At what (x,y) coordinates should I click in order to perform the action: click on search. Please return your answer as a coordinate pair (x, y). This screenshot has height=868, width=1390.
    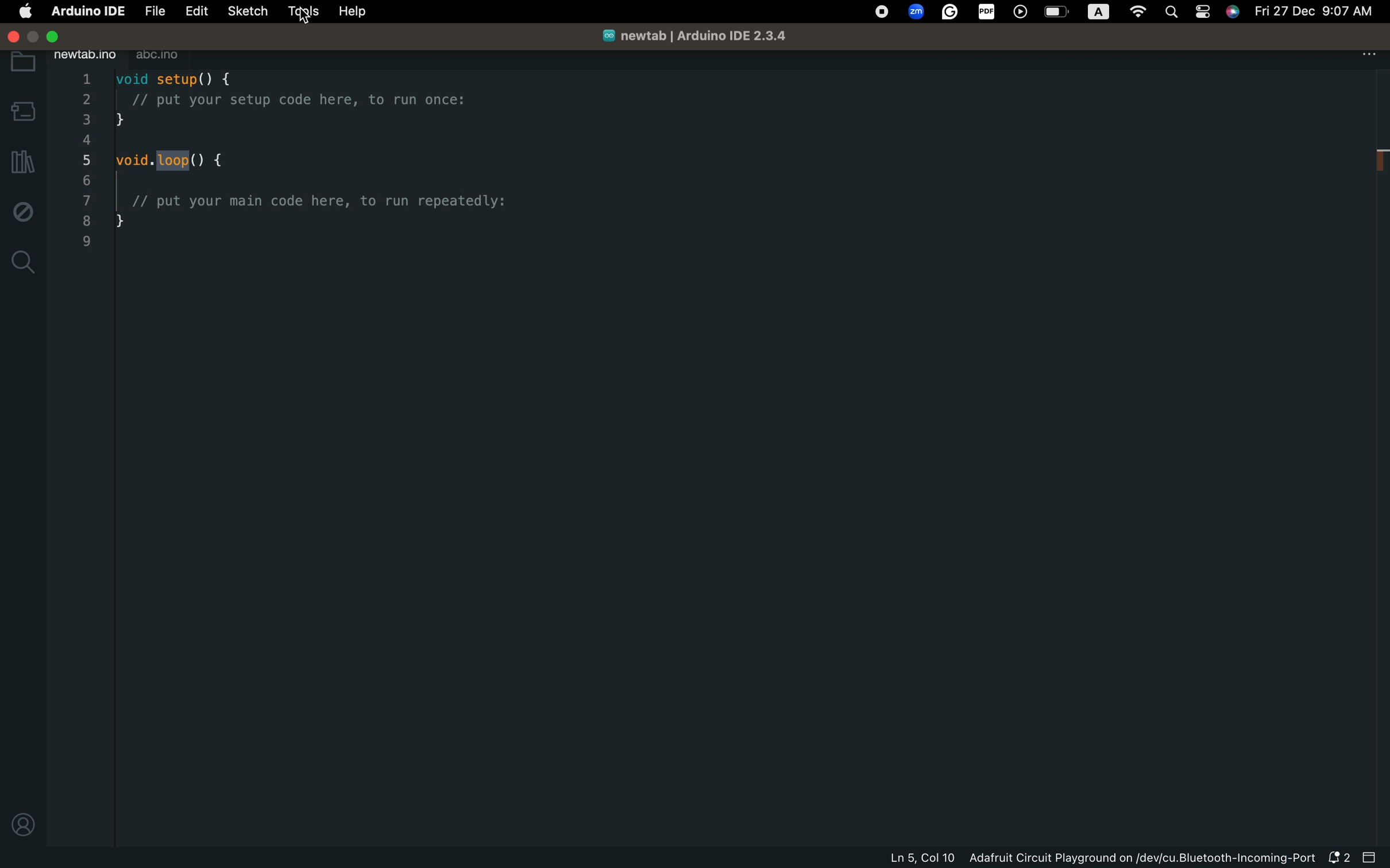
    Looking at the image, I should click on (22, 264).